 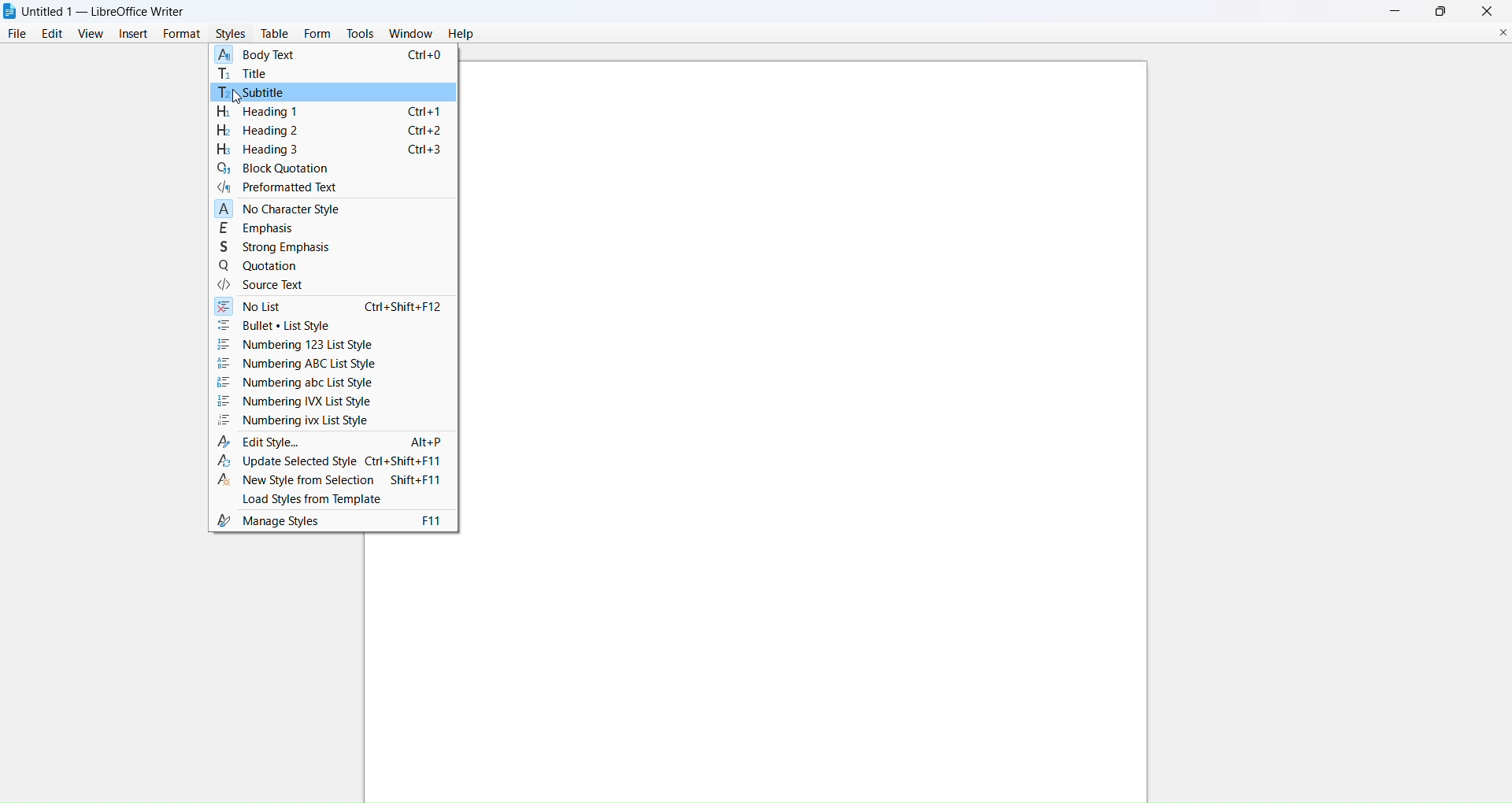 What do you see at coordinates (328, 131) in the screenshot?
I see `heading 2      Ctrl+2` at bounding box center [328, 131].